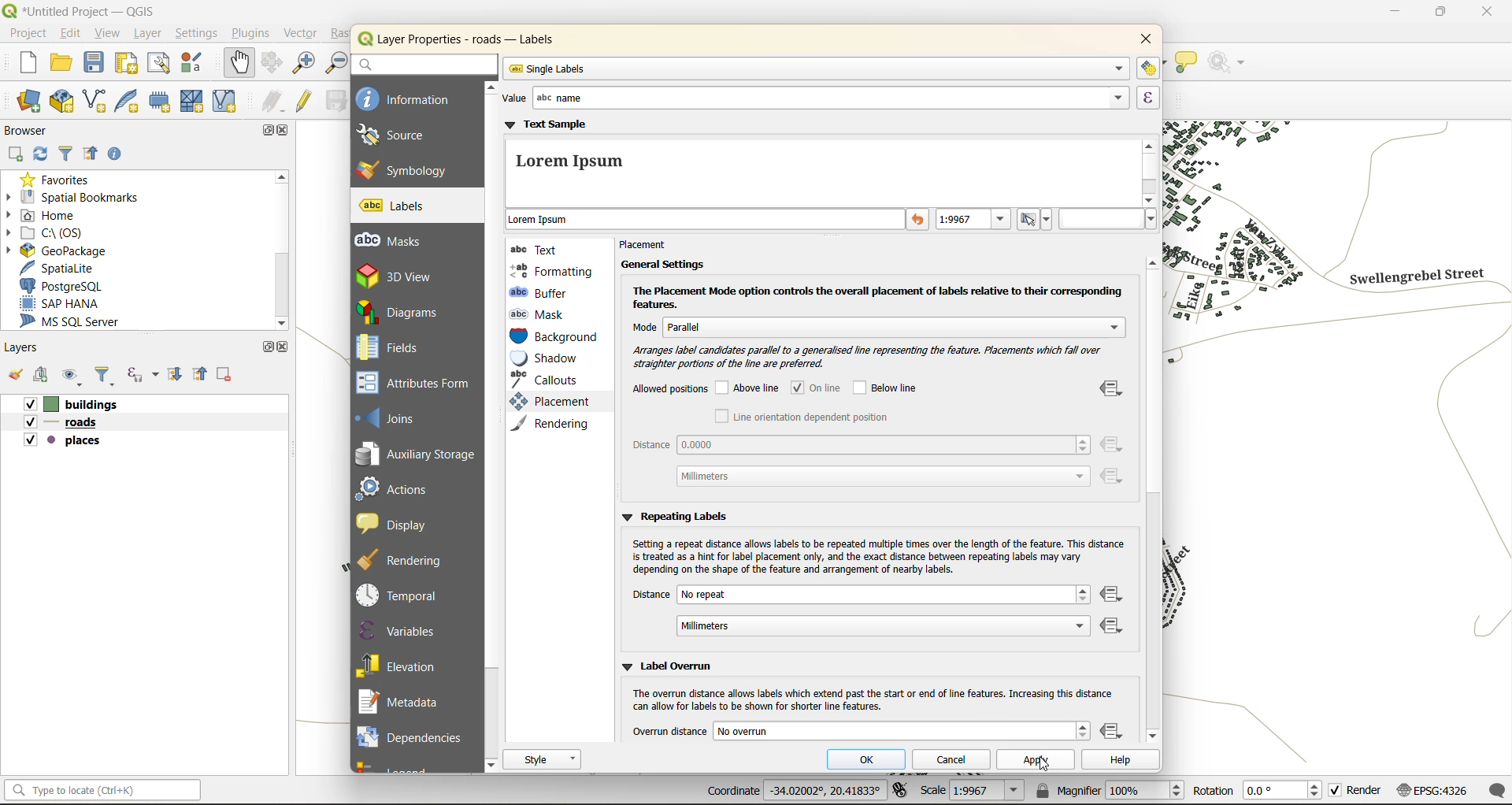 The width and height of the screenshot is (1512, 805). Describe the element at coordinates (1038, 763) in the screenshot. I see `apply` at that location.